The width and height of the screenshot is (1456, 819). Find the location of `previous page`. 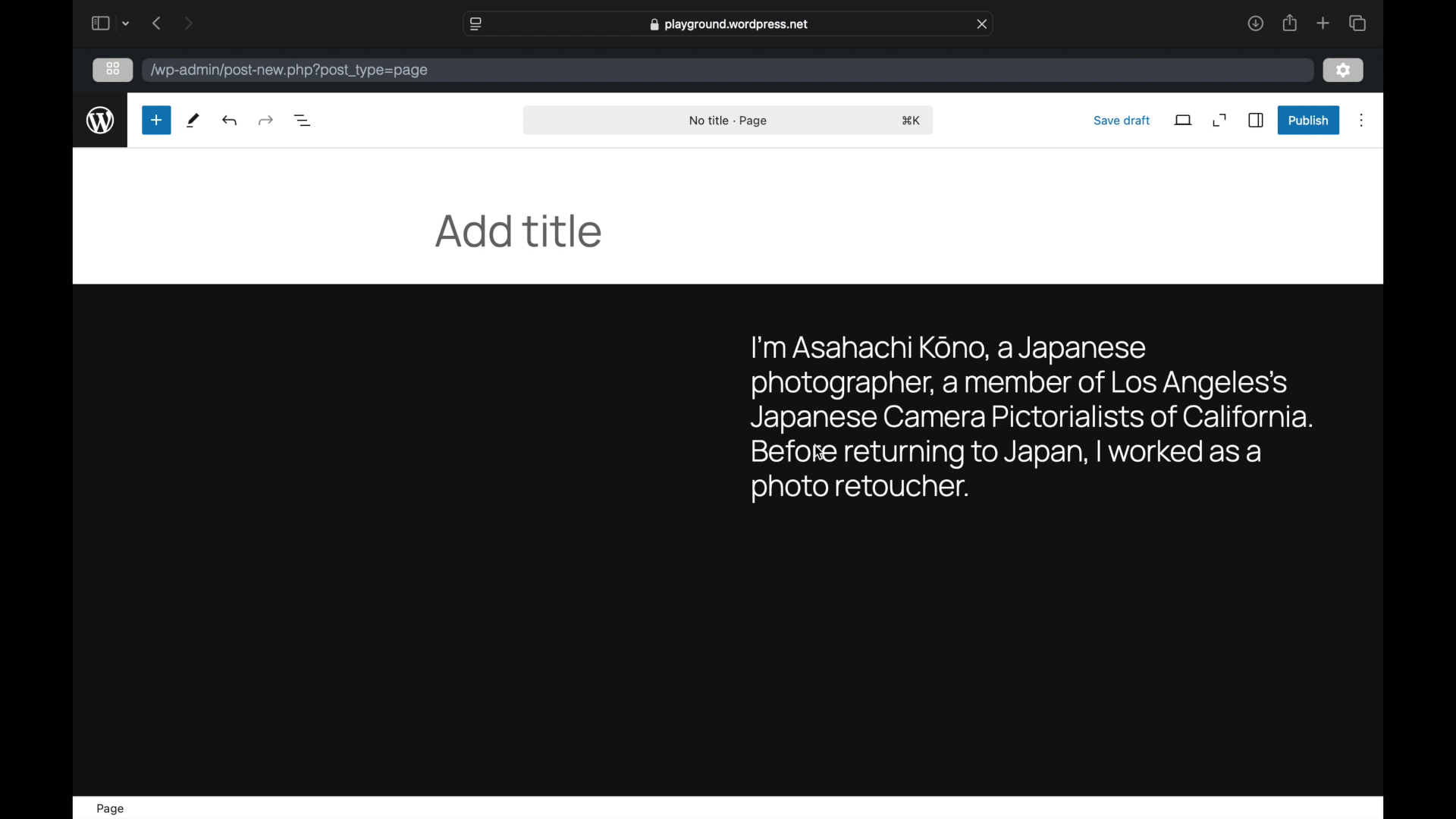

previous page is located at coordinates (158, 23).